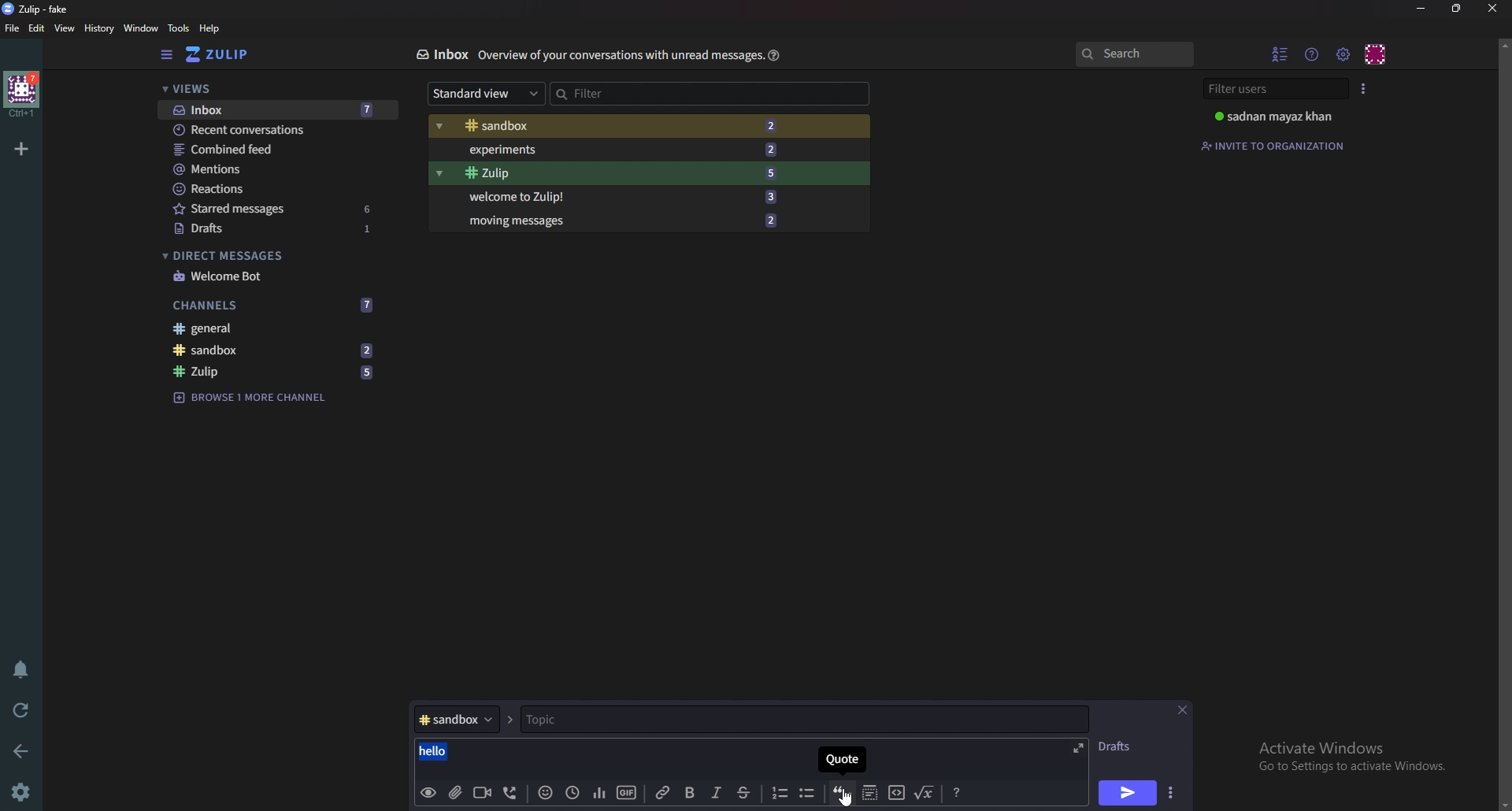  Describe the element at coordinates (847, 801) in the screenshot. I see `Cursor on quote` at that location.